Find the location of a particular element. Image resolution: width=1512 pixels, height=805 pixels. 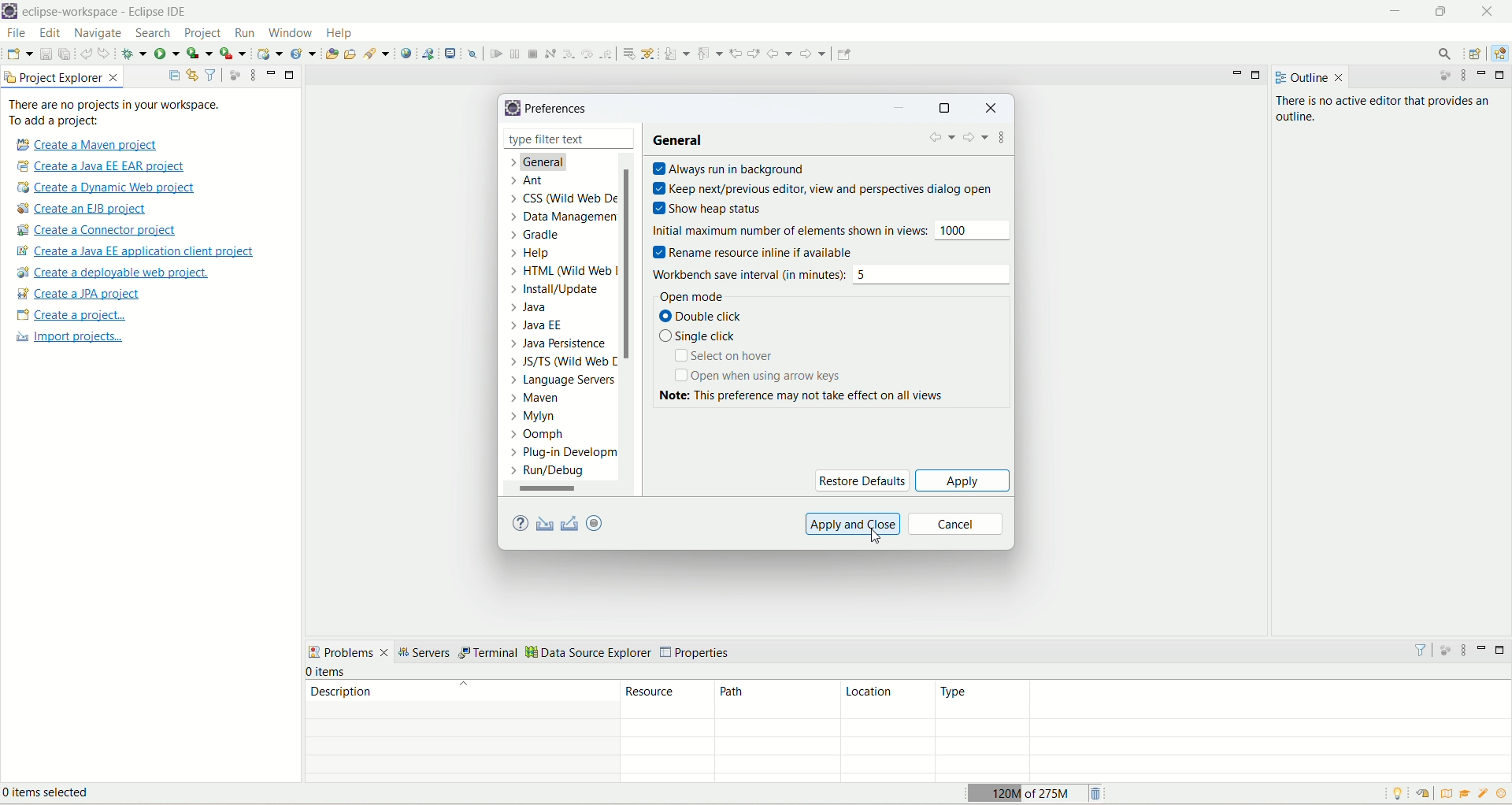

show heap status is located at coordinates (710, 206).